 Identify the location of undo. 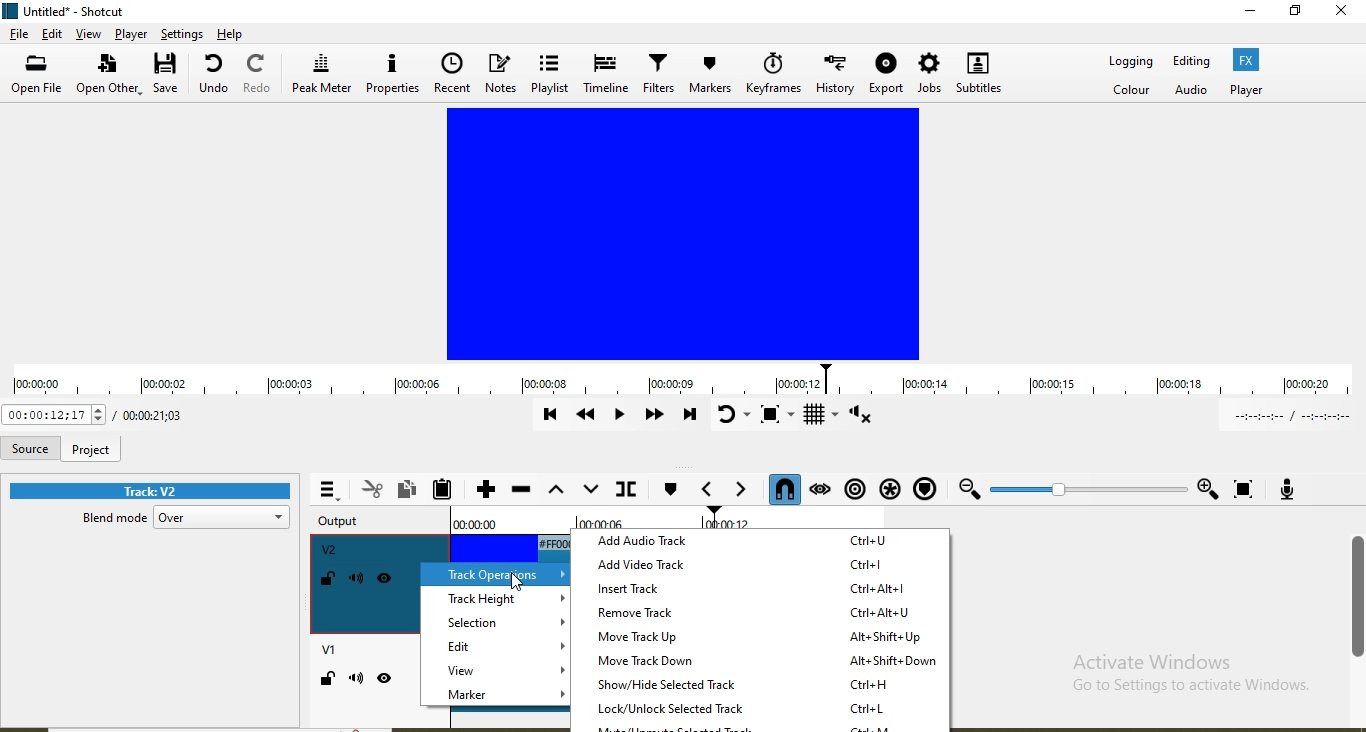
(214, 77).